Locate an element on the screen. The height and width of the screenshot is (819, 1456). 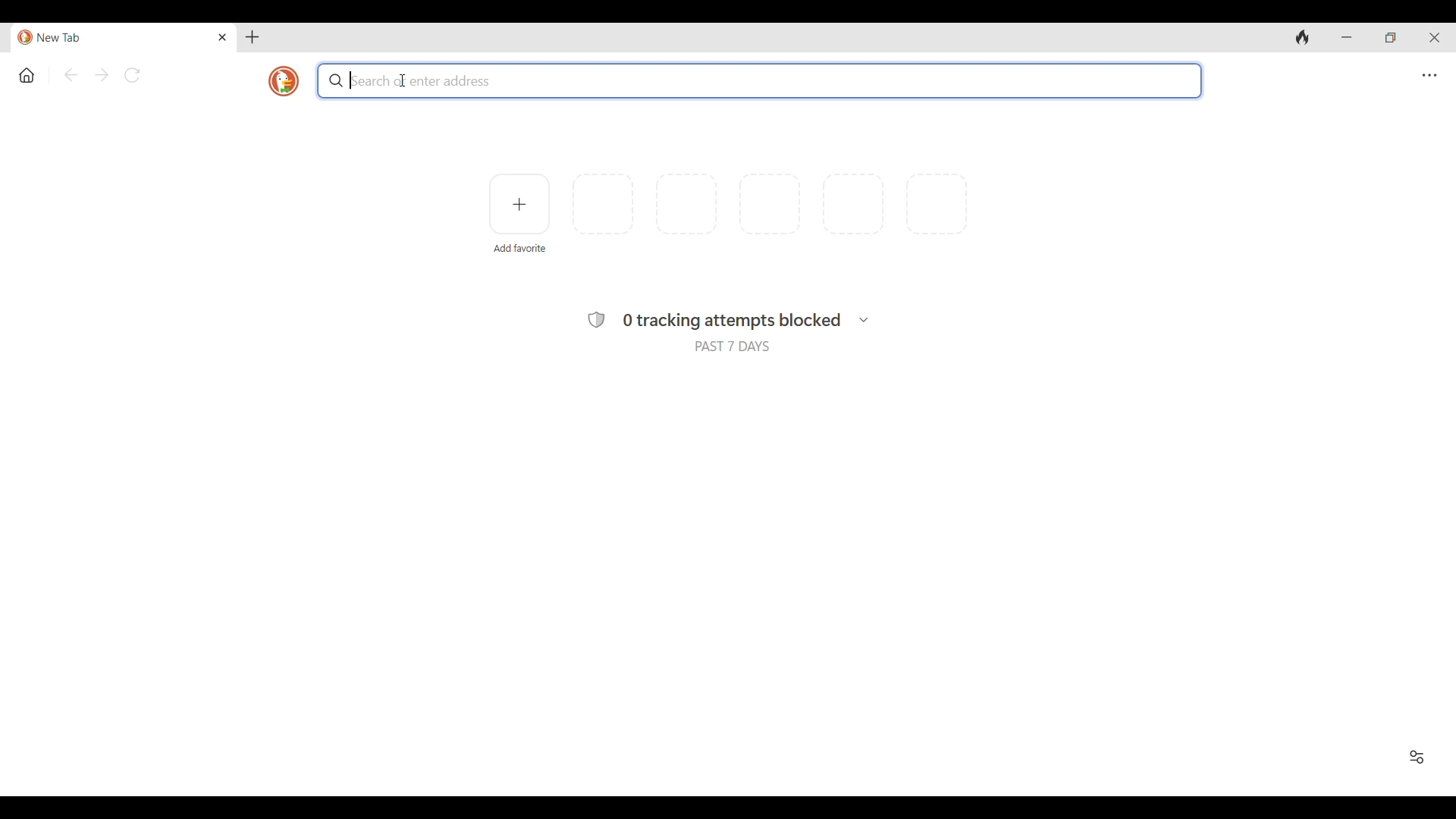
Close interface is located at coordinates (1435, 38).